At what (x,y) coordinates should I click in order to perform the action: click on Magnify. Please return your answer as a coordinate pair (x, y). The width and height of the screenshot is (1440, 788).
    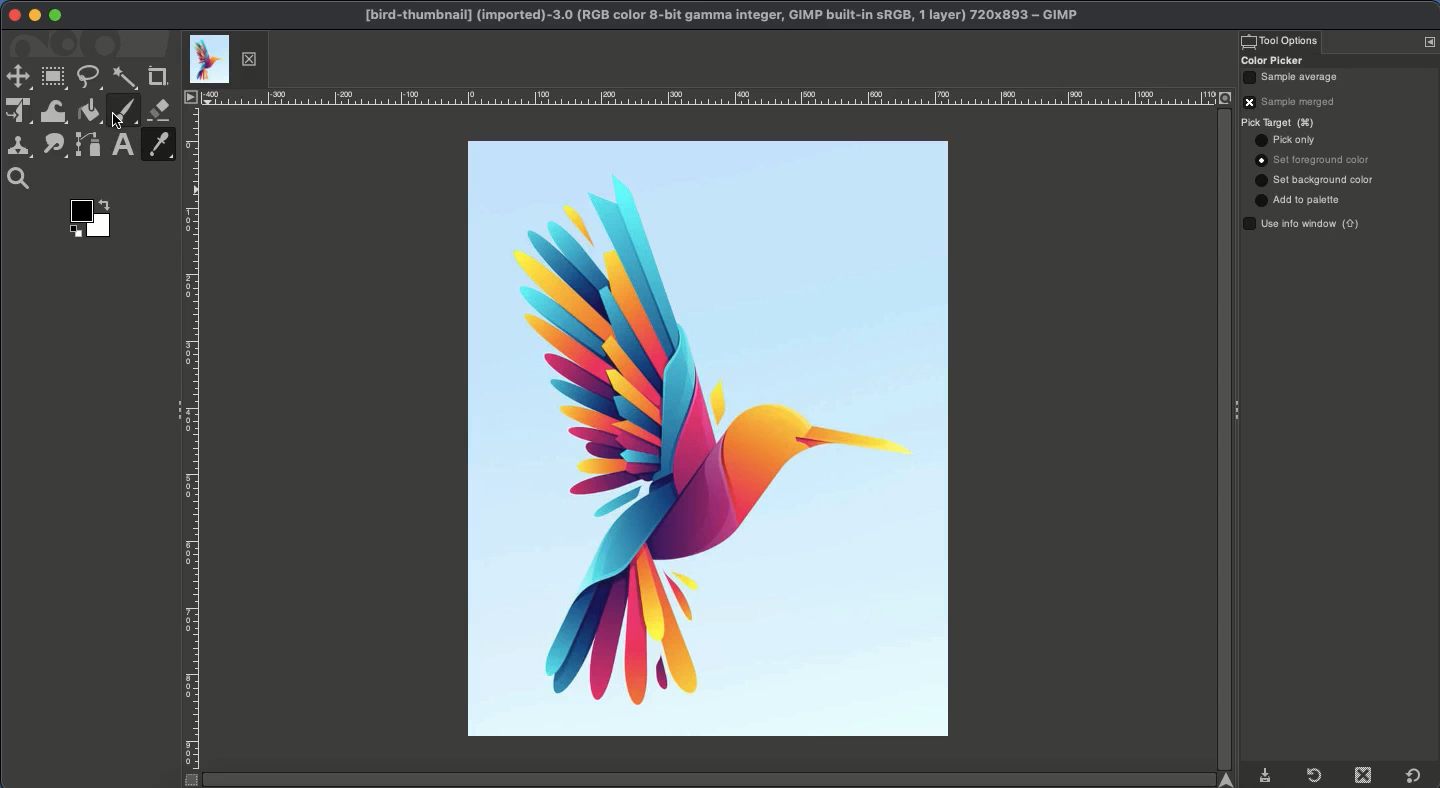
    Looking at the image, I should click on (23, 179).